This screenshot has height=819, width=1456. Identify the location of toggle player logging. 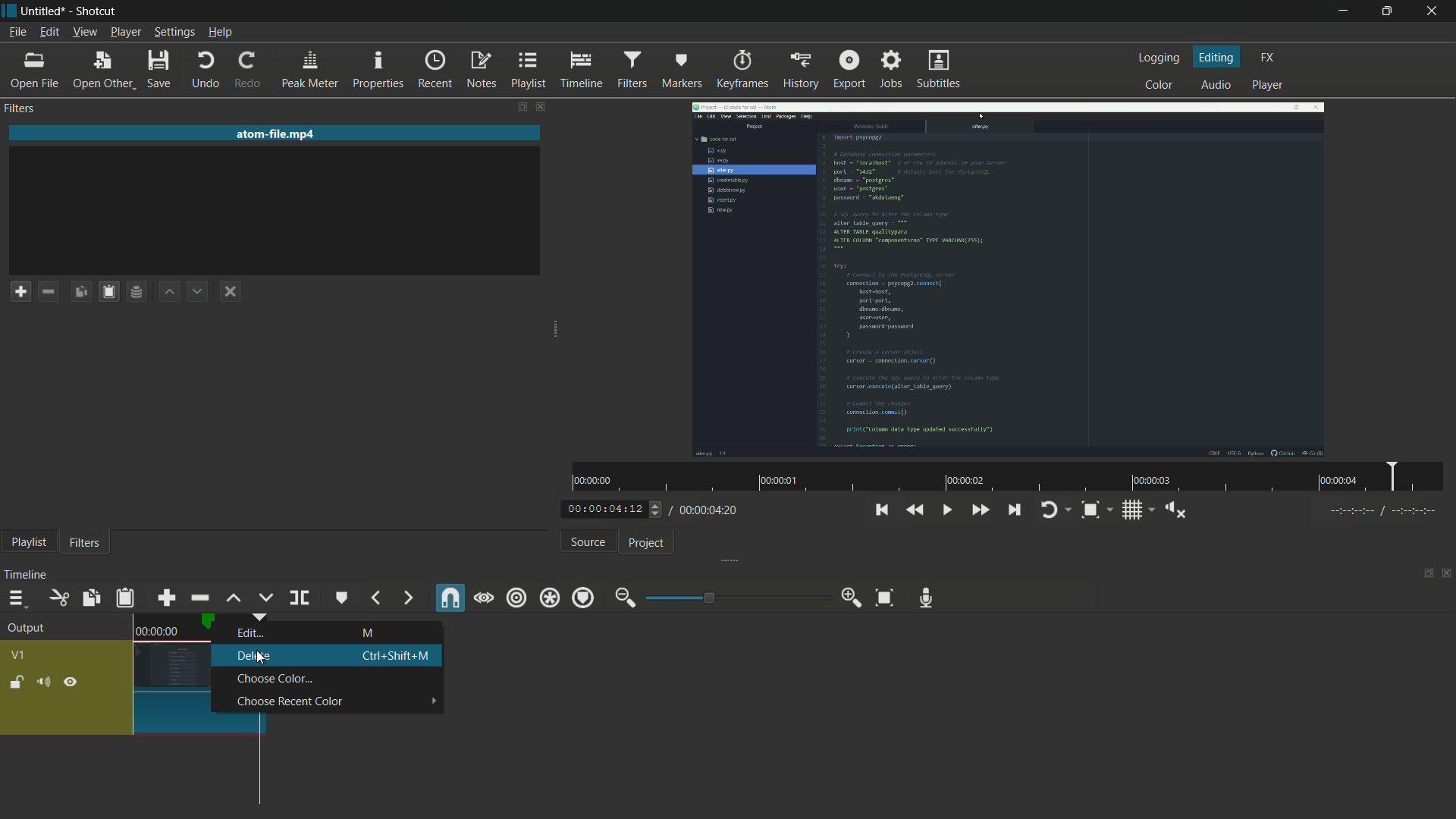
(1049, 510).